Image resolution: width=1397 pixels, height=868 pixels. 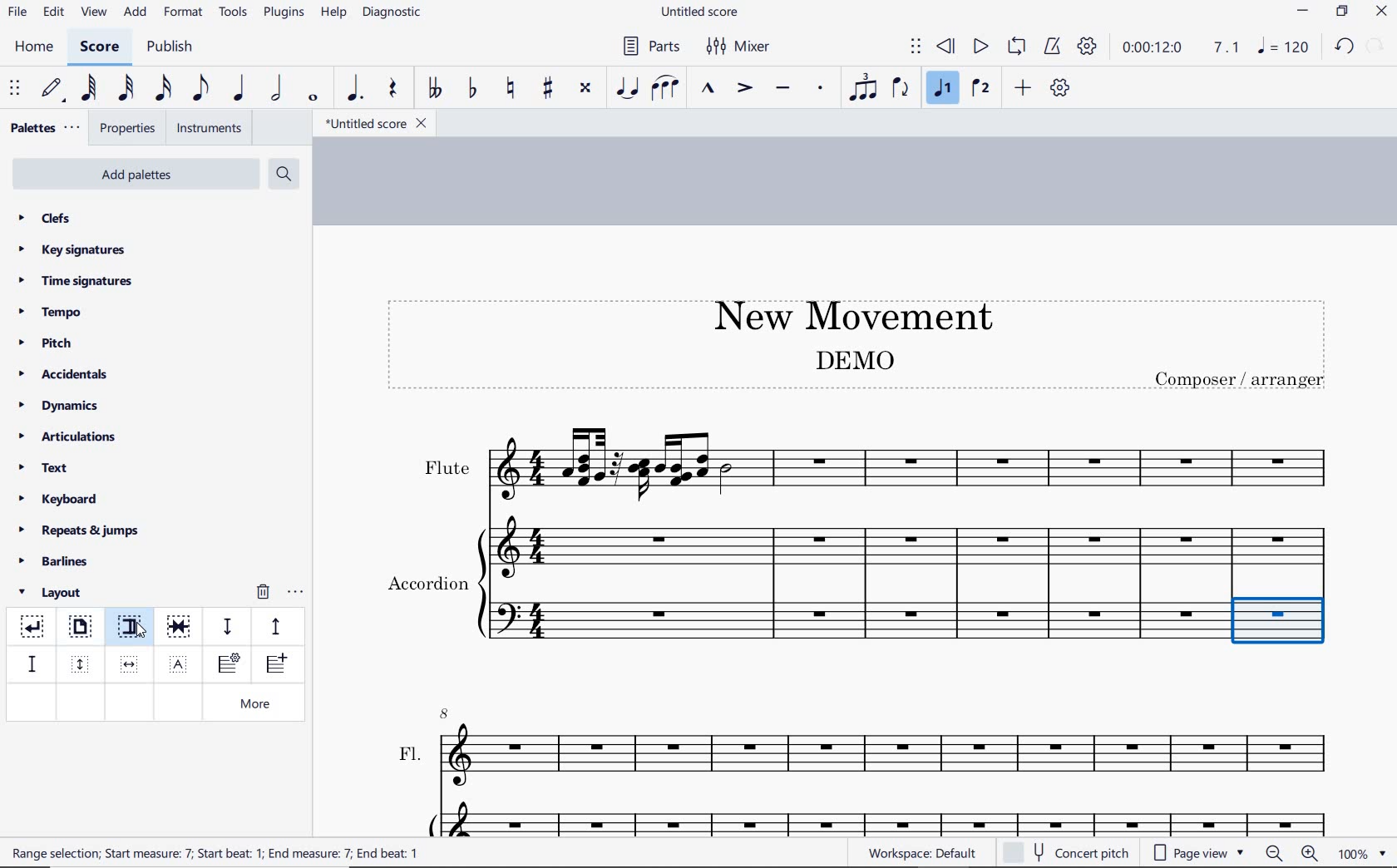 I want to click on toggle double-sharp, so click(x=586, y=88).